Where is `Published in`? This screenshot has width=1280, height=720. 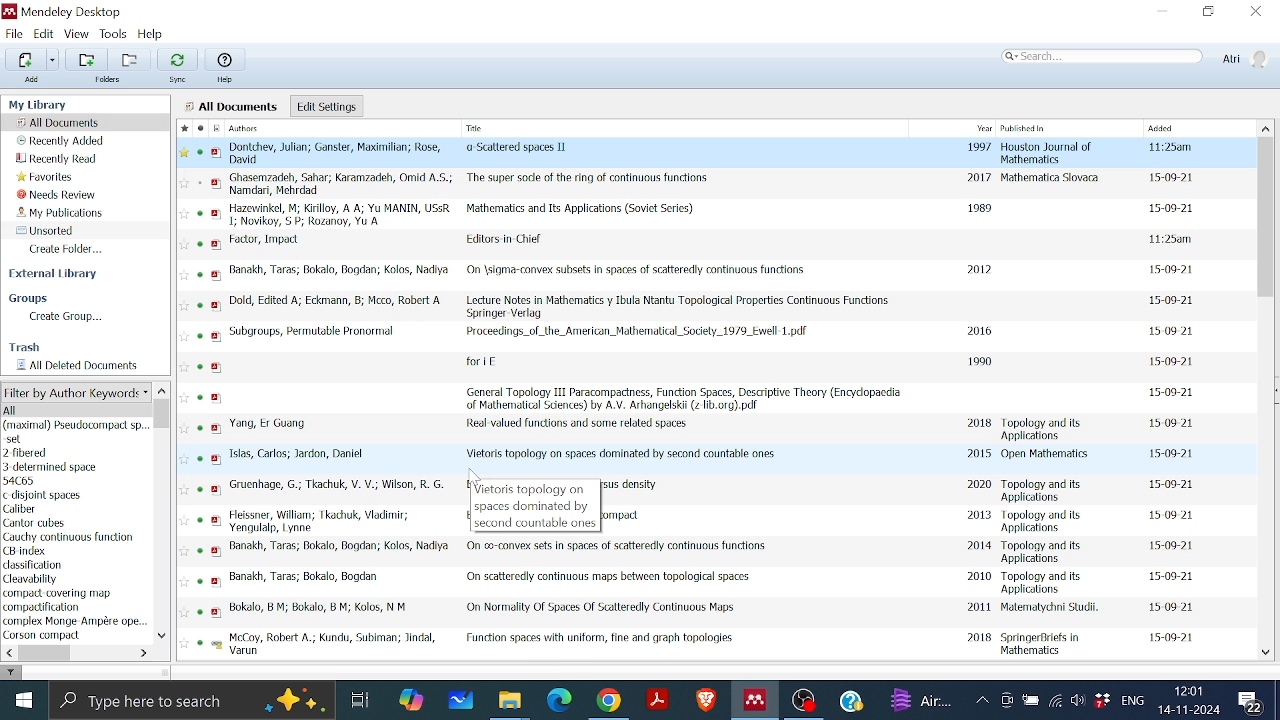 Published in is located at coordinates (1044, 453).